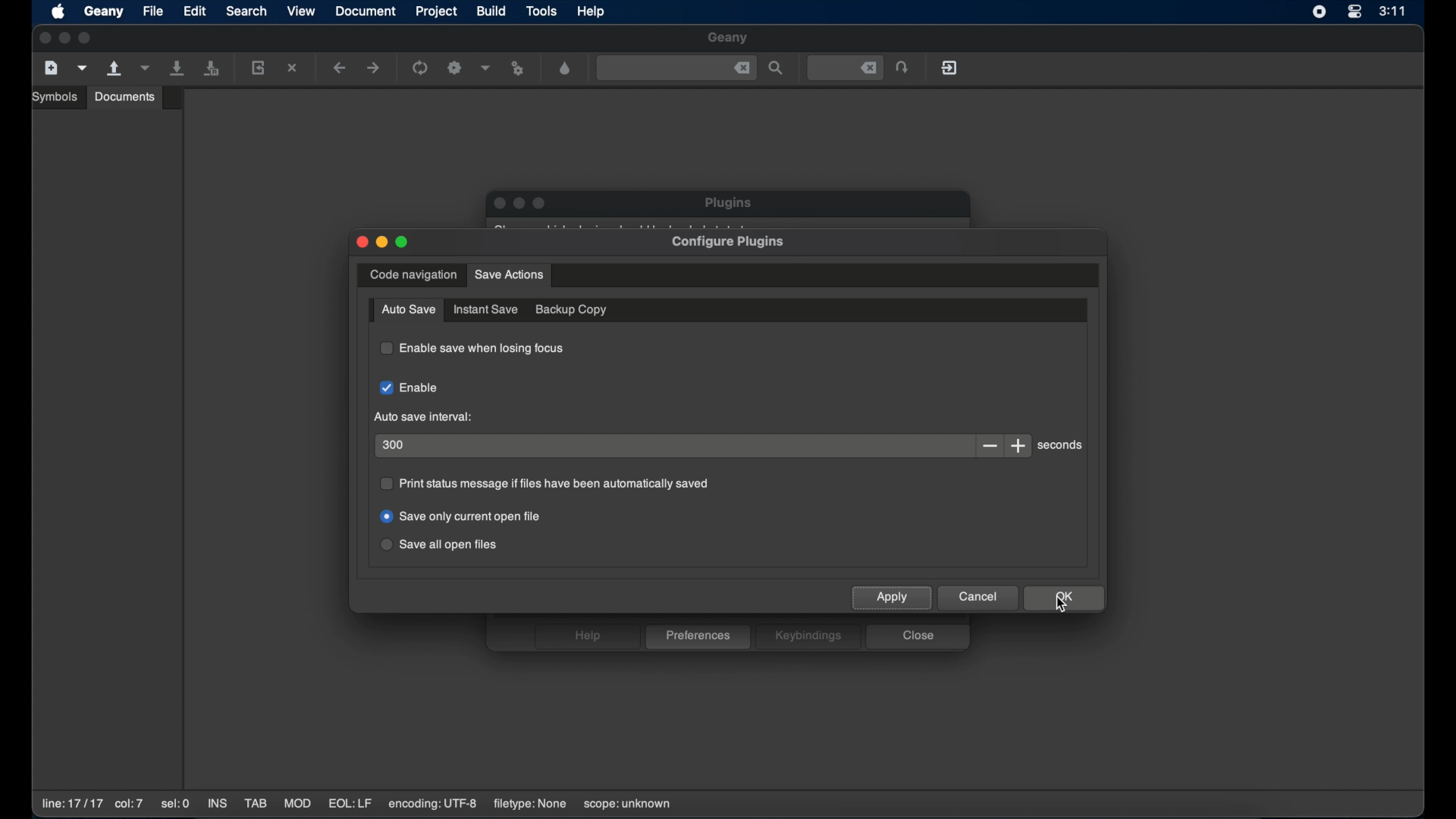  I want to click on filetype: none, so click(529, 804).